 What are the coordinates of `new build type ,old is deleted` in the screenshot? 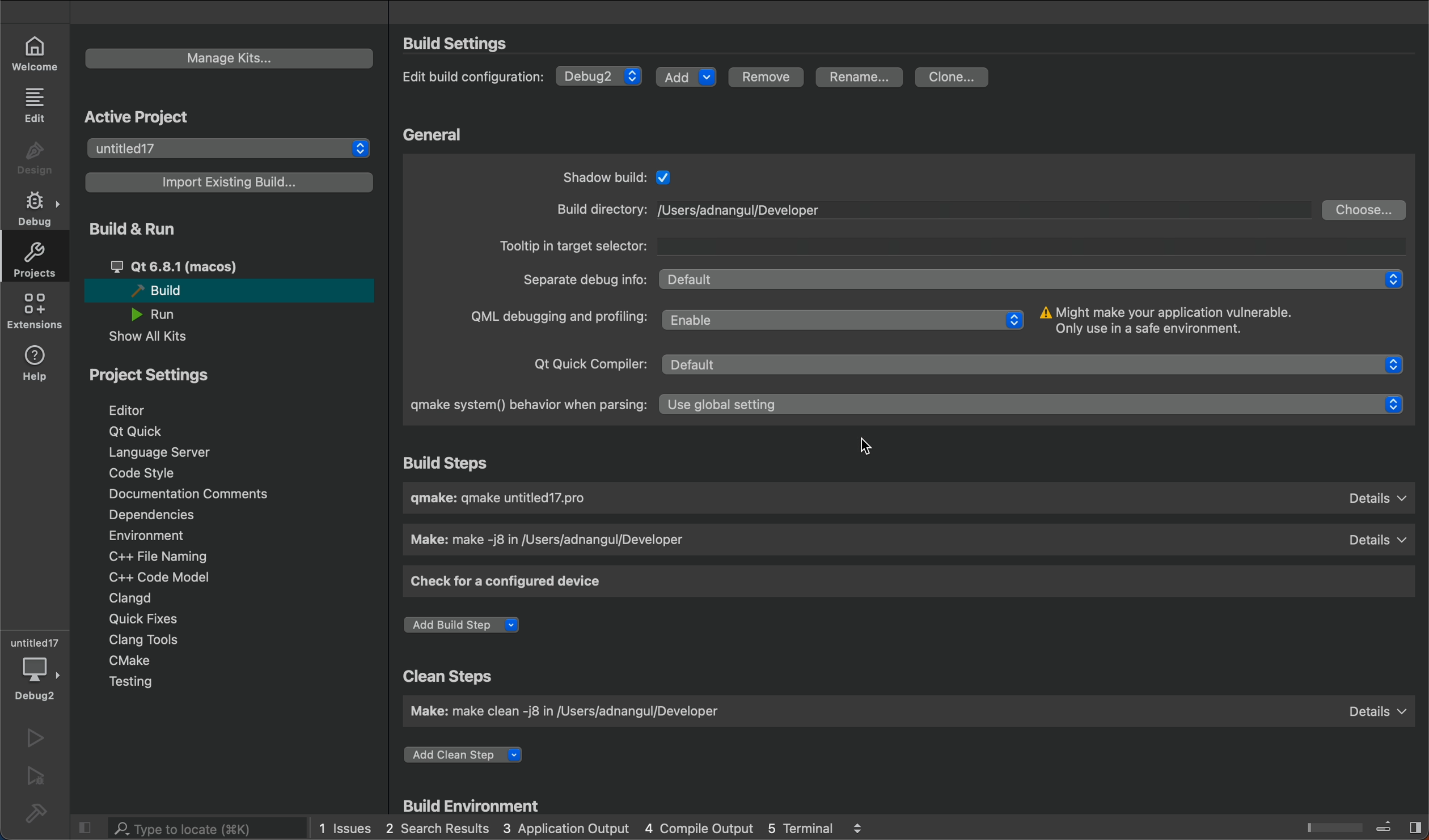 It's located at (689, 208).